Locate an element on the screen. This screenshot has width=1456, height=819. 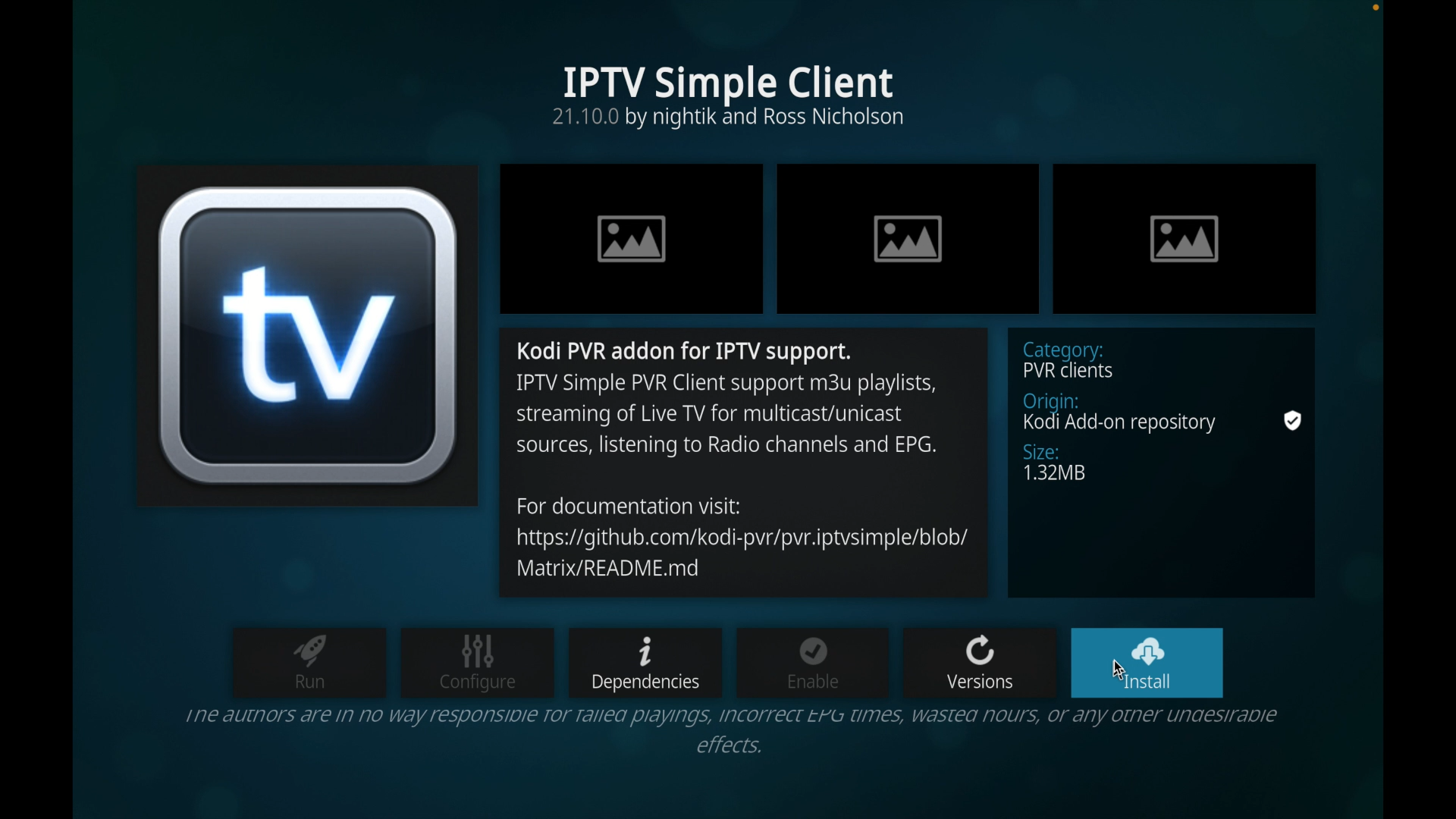
the authors are in no way responsible for failed playings, incorrect EPG times, wasted hours or any other undesirable effects is located at coordinates (736, 733).